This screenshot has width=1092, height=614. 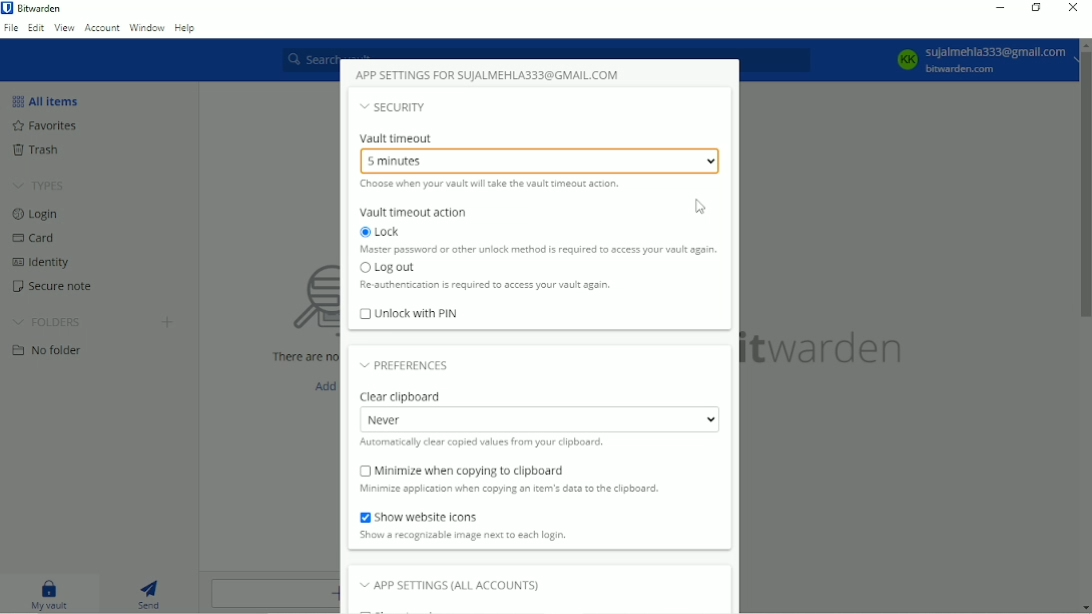 I want to click on Show website icons, so click(x=421, y=516).